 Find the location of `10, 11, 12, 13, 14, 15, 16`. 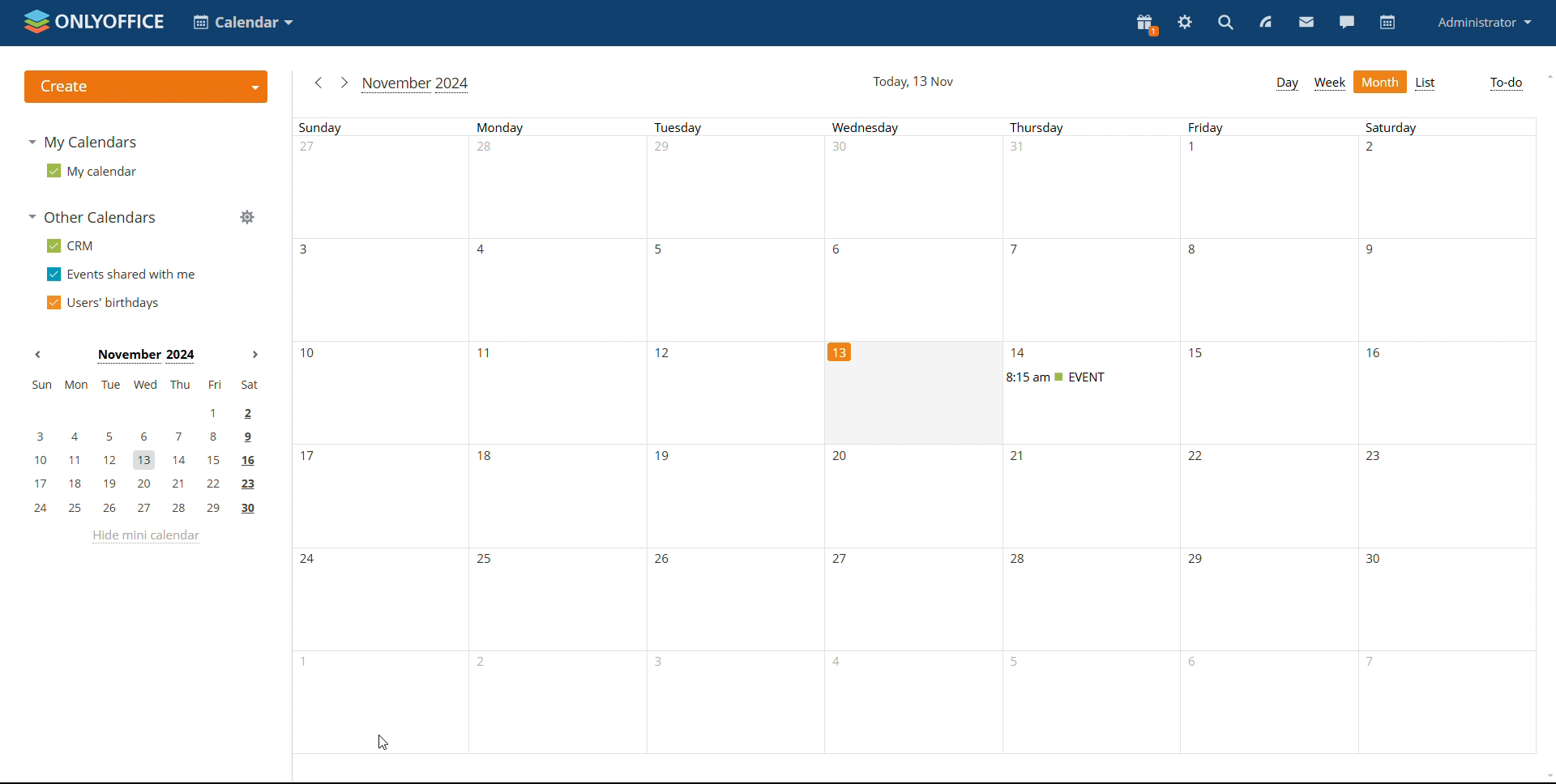

10, 11, 12, 13, 14, 15, 16 is located at coordinates (153, 457).